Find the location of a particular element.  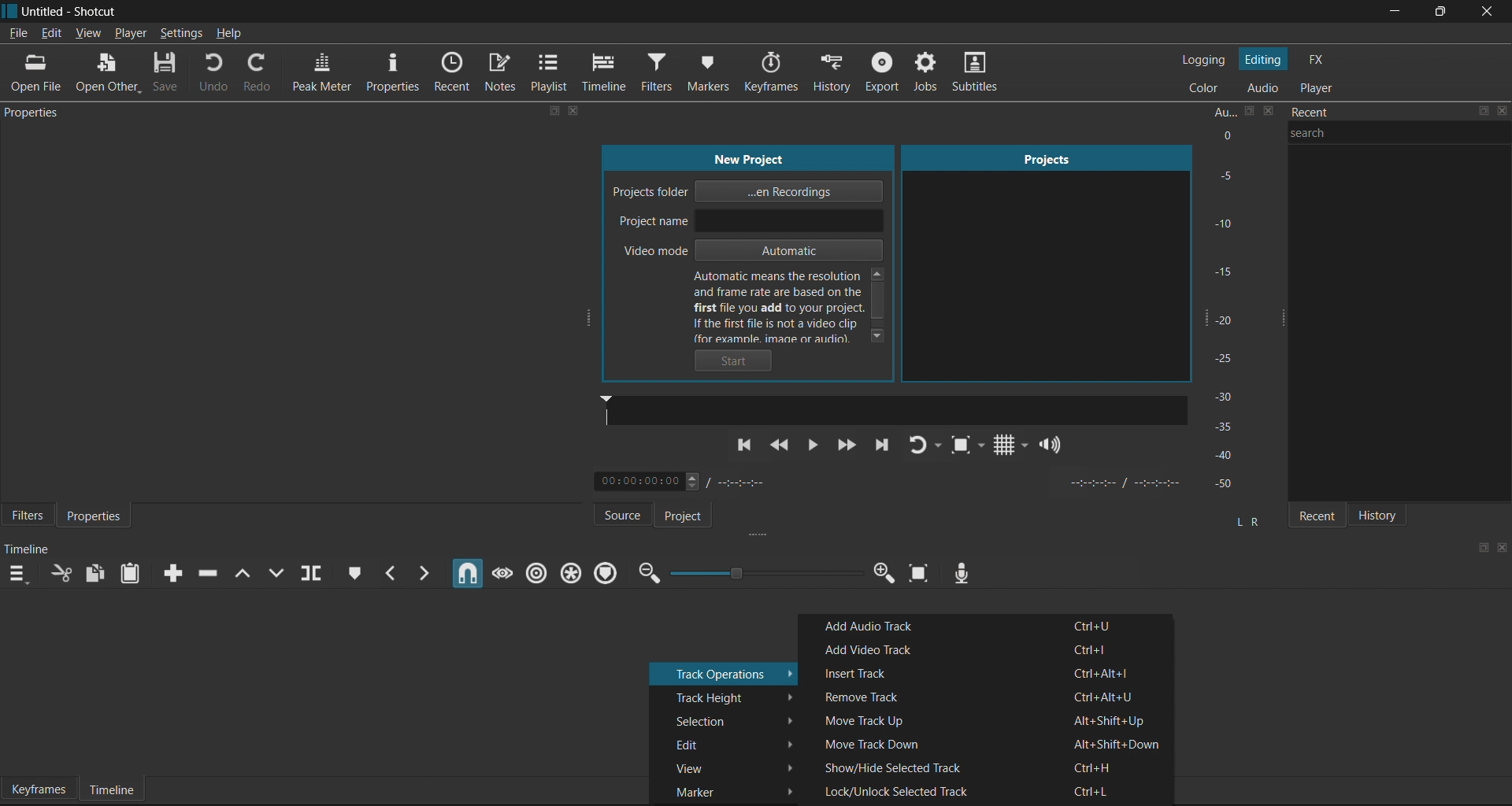

Overwrite is located at coordinates (283, 572).